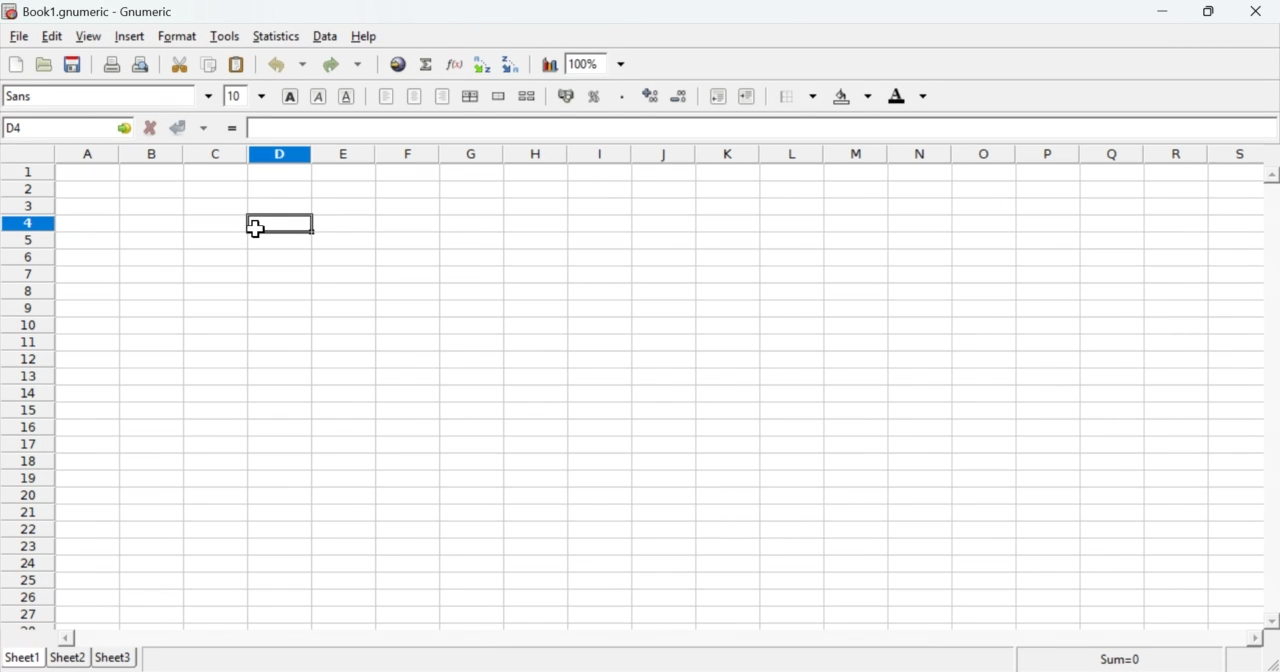 Image resolution: width=1280 pixels, height=672 pixels. What do you see at coordinates (290, 96) in the screenshot?
I see `Bold` at bounding box center [290, 96].